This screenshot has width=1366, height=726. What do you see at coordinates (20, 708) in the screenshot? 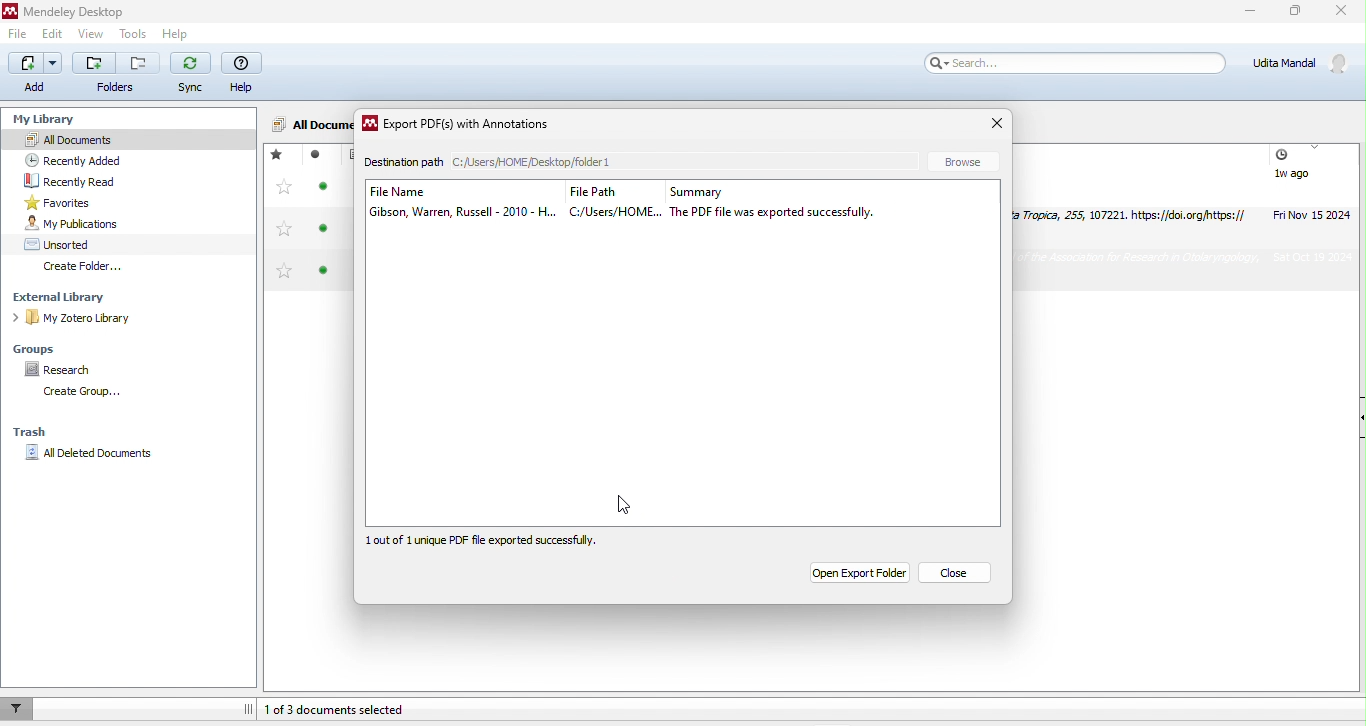
I see `filter` at bounding box center [20, 708].